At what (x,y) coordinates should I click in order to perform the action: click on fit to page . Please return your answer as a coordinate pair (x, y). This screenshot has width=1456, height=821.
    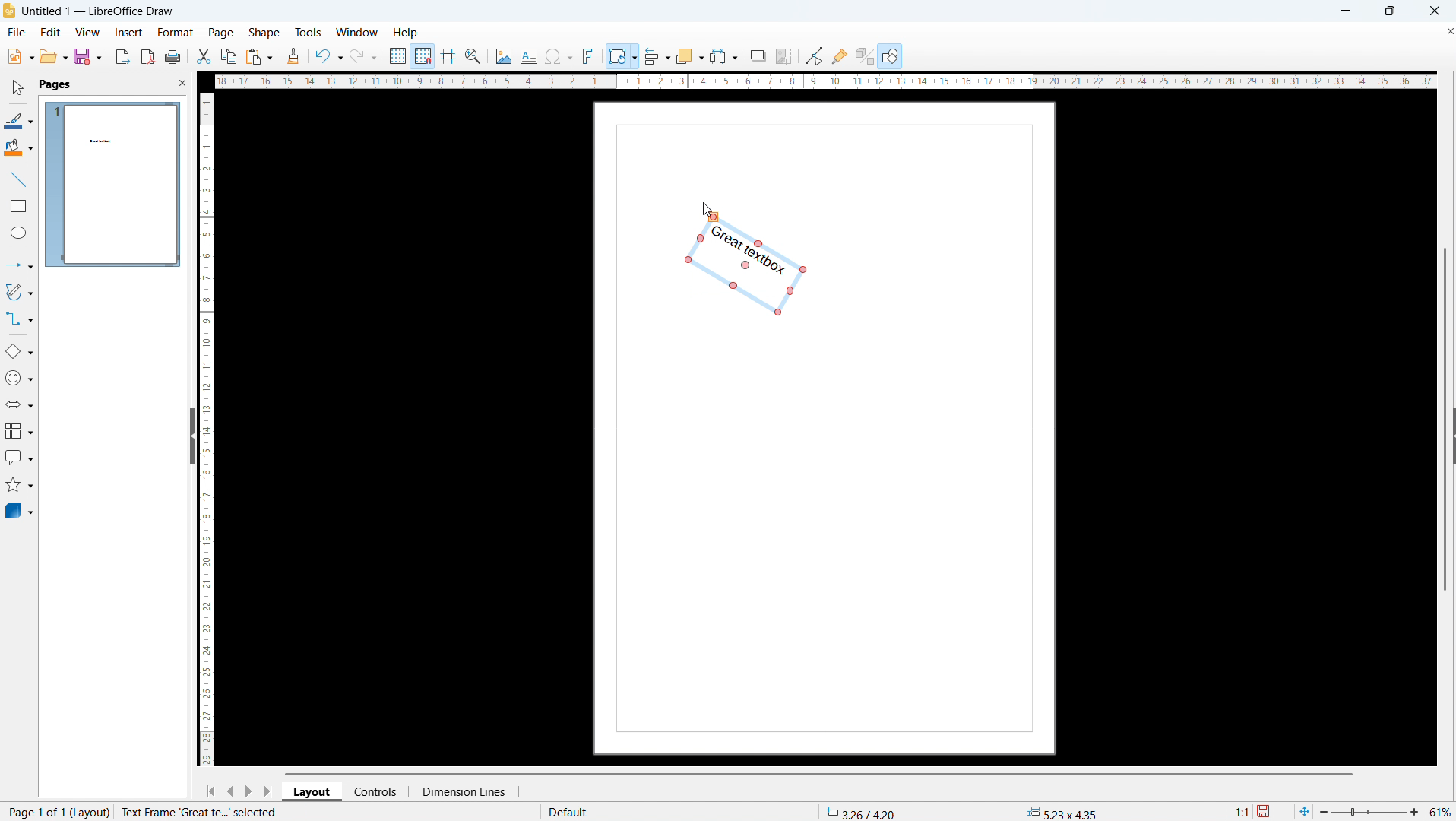
    Looking at the image, I should click on (1304, 811).